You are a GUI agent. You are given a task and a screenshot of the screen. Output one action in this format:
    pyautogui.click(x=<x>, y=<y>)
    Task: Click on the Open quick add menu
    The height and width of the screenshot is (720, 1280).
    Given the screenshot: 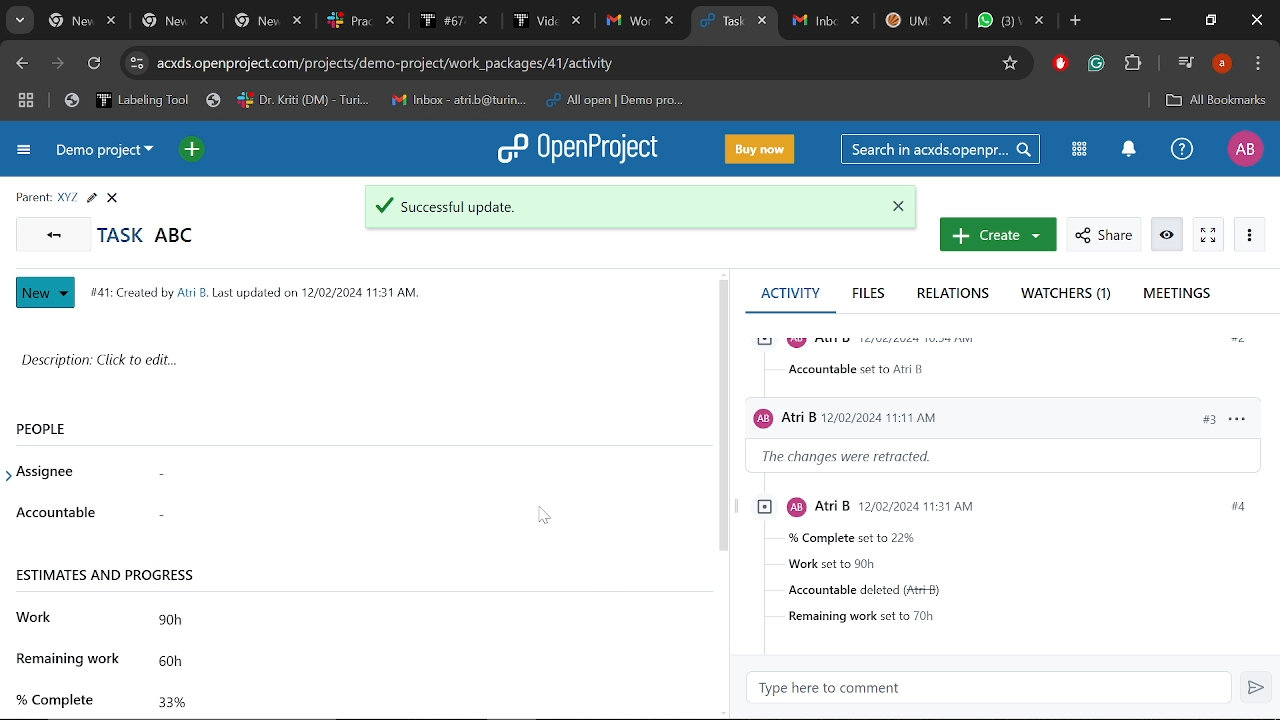 What is the action you would take?
    pyautogui.click(x=191, y=149)
    